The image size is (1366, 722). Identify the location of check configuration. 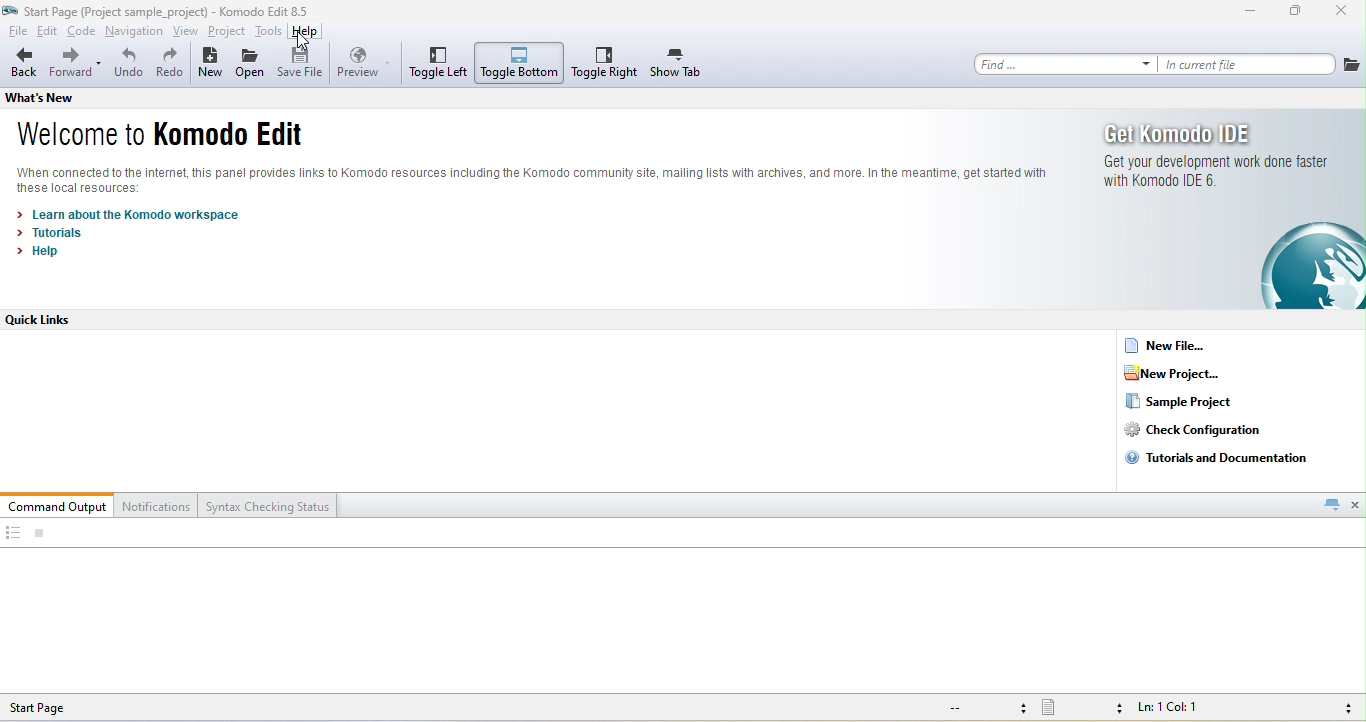
(1208, 430).